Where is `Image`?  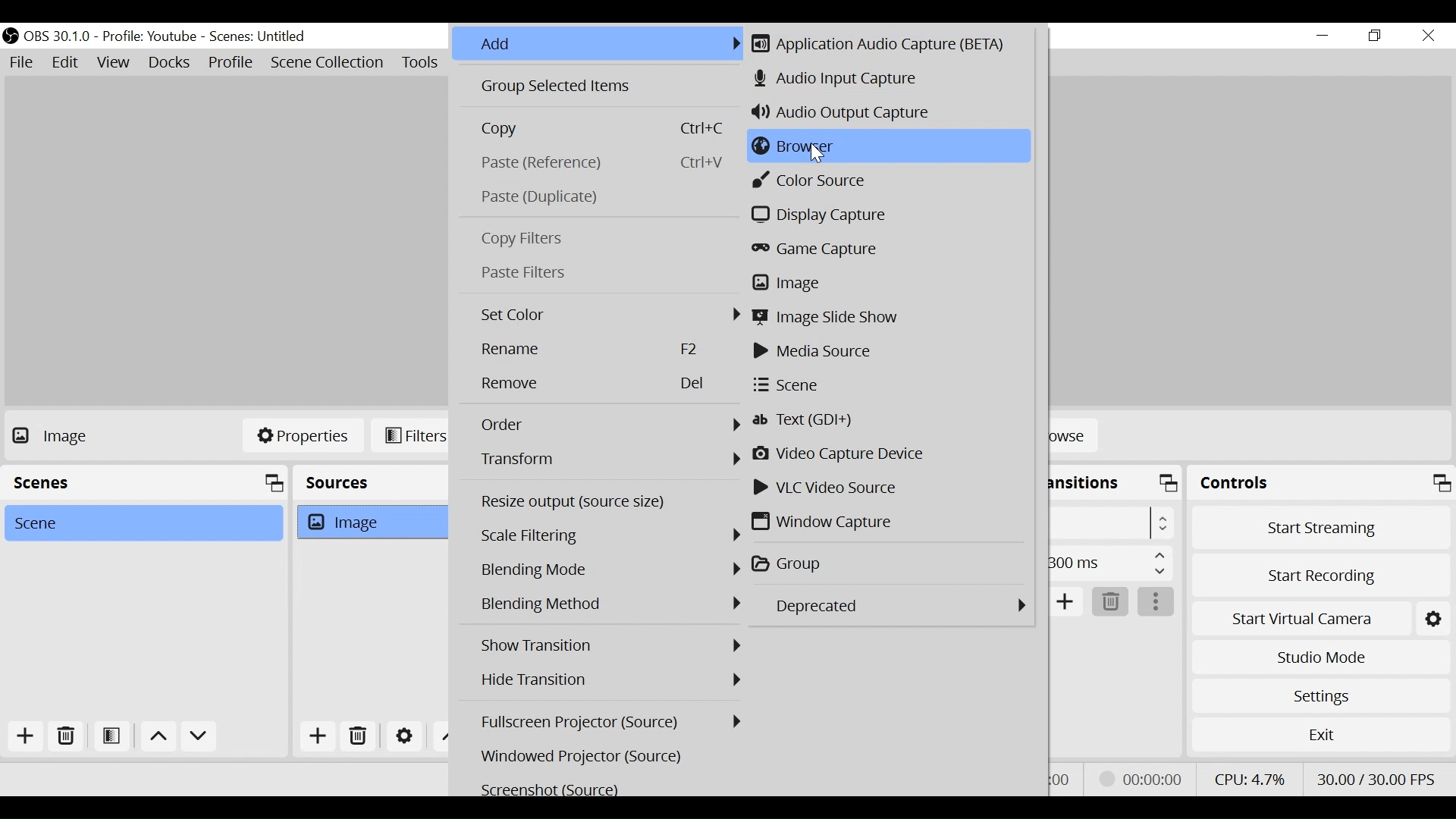 Image is located at coordinates (350, 531).